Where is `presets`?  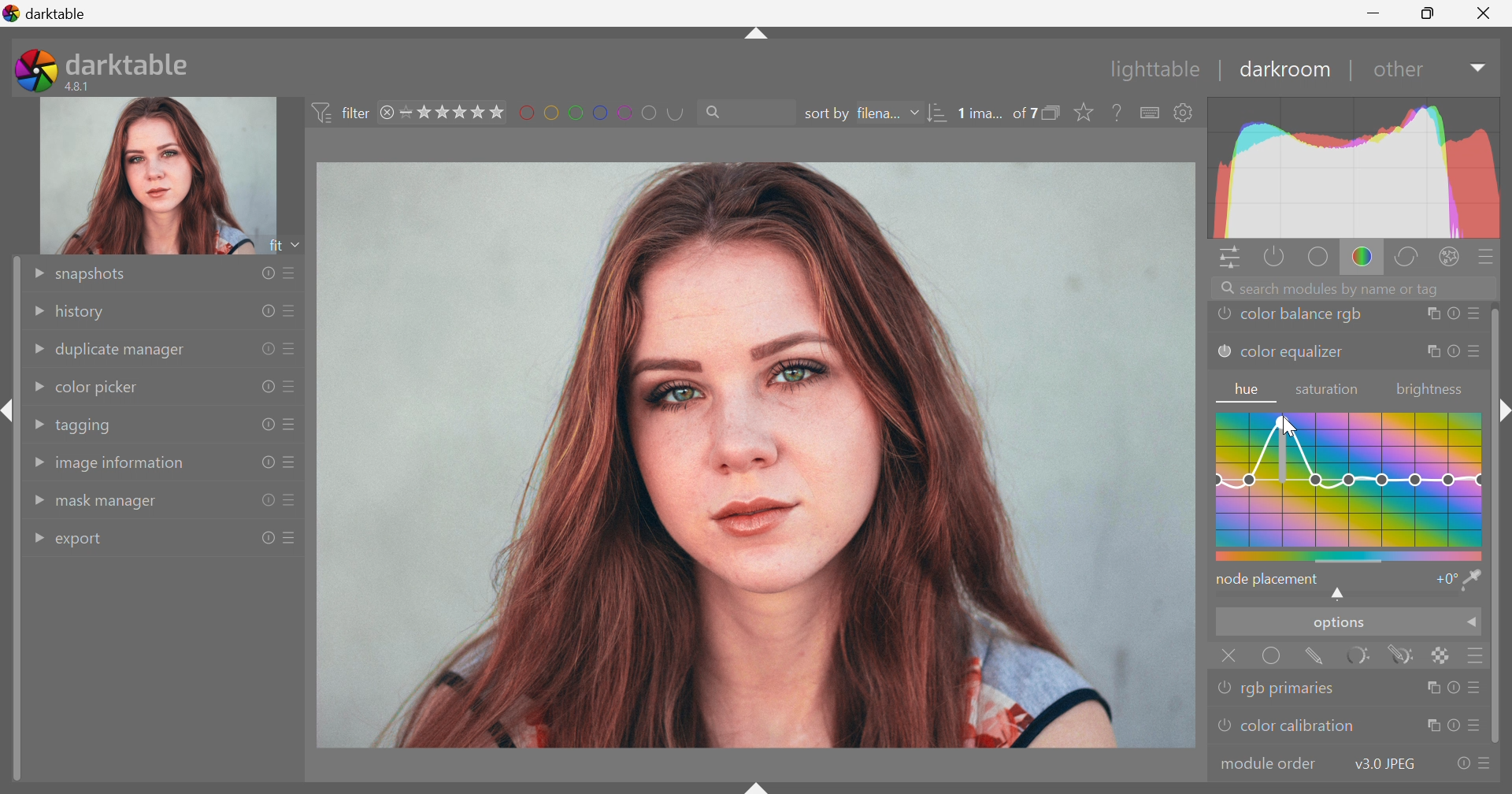 presets is located at coordinates (1478, 728).